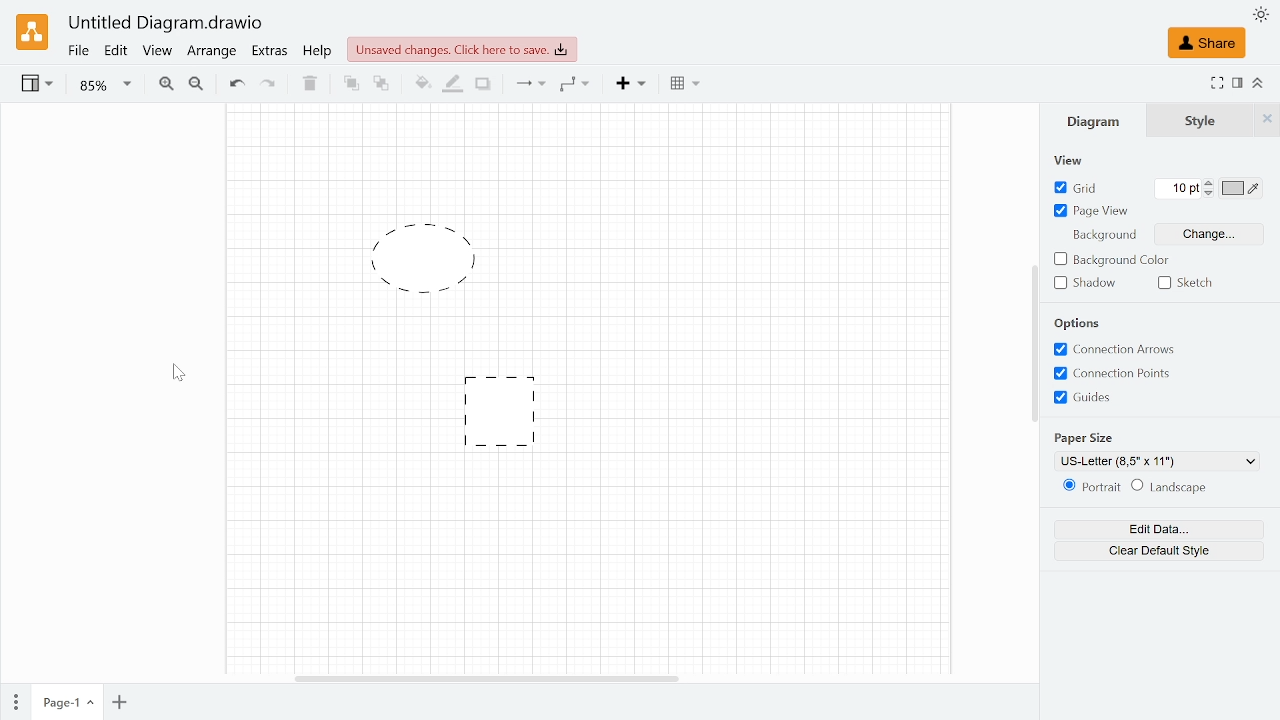  Describe the element at coordinates (483, 85) in the screenshot. I see `Shadow` at that location.